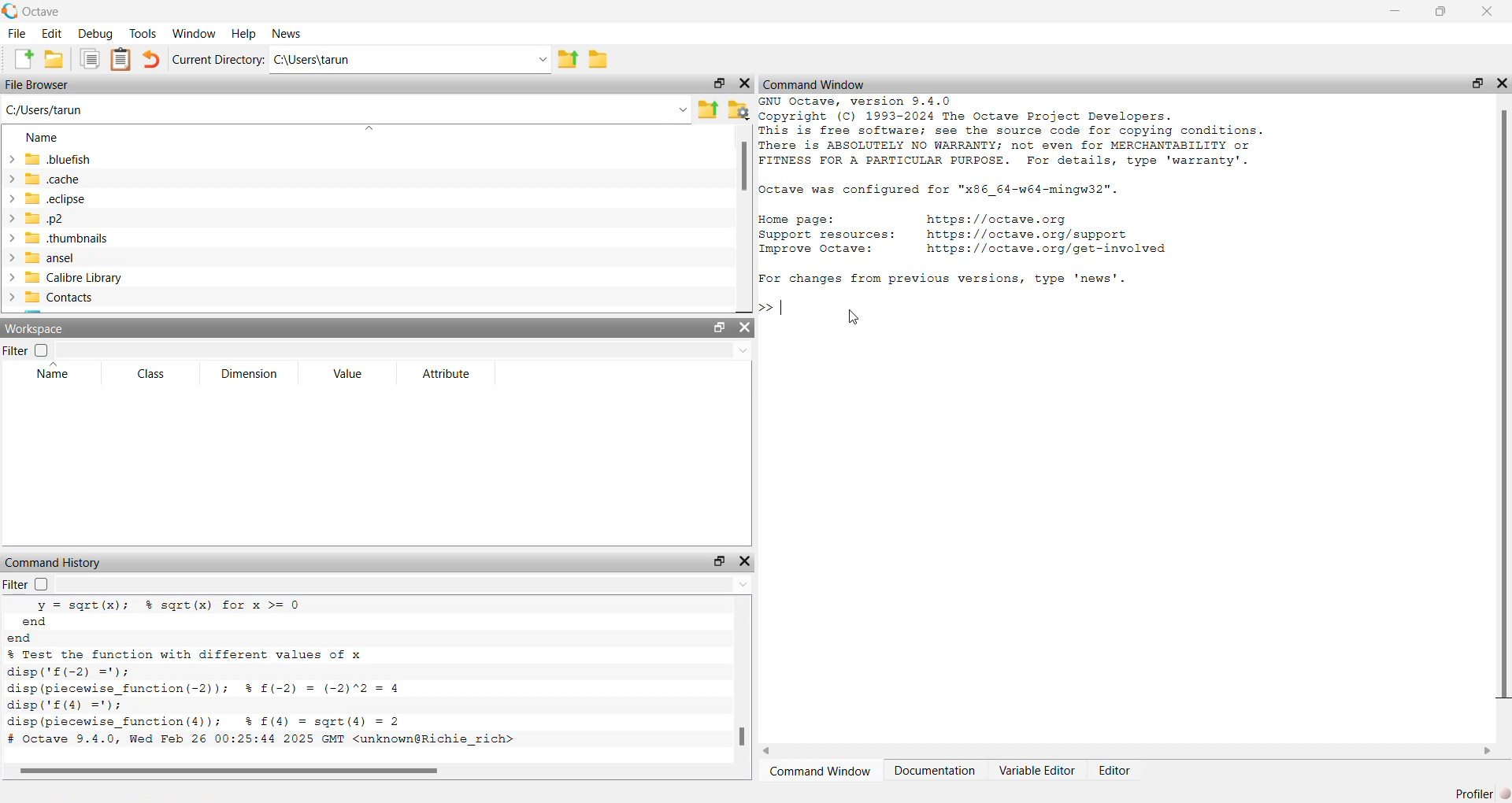 Image resolution: width=1512 pixels, height=803 pixels. I want to click on > BE p2, so click(40, 219).